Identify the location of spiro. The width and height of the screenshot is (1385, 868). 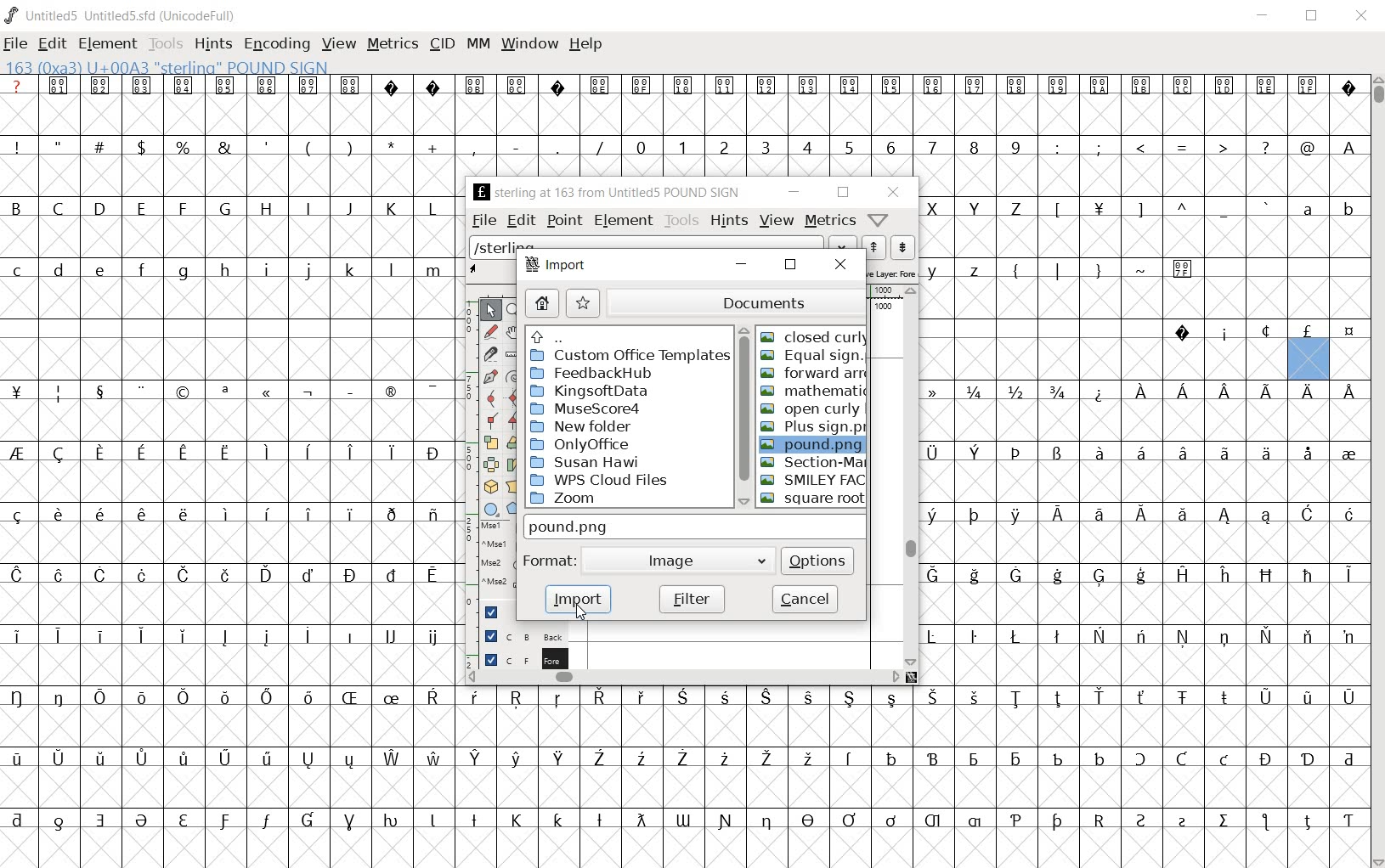
(513, 375).